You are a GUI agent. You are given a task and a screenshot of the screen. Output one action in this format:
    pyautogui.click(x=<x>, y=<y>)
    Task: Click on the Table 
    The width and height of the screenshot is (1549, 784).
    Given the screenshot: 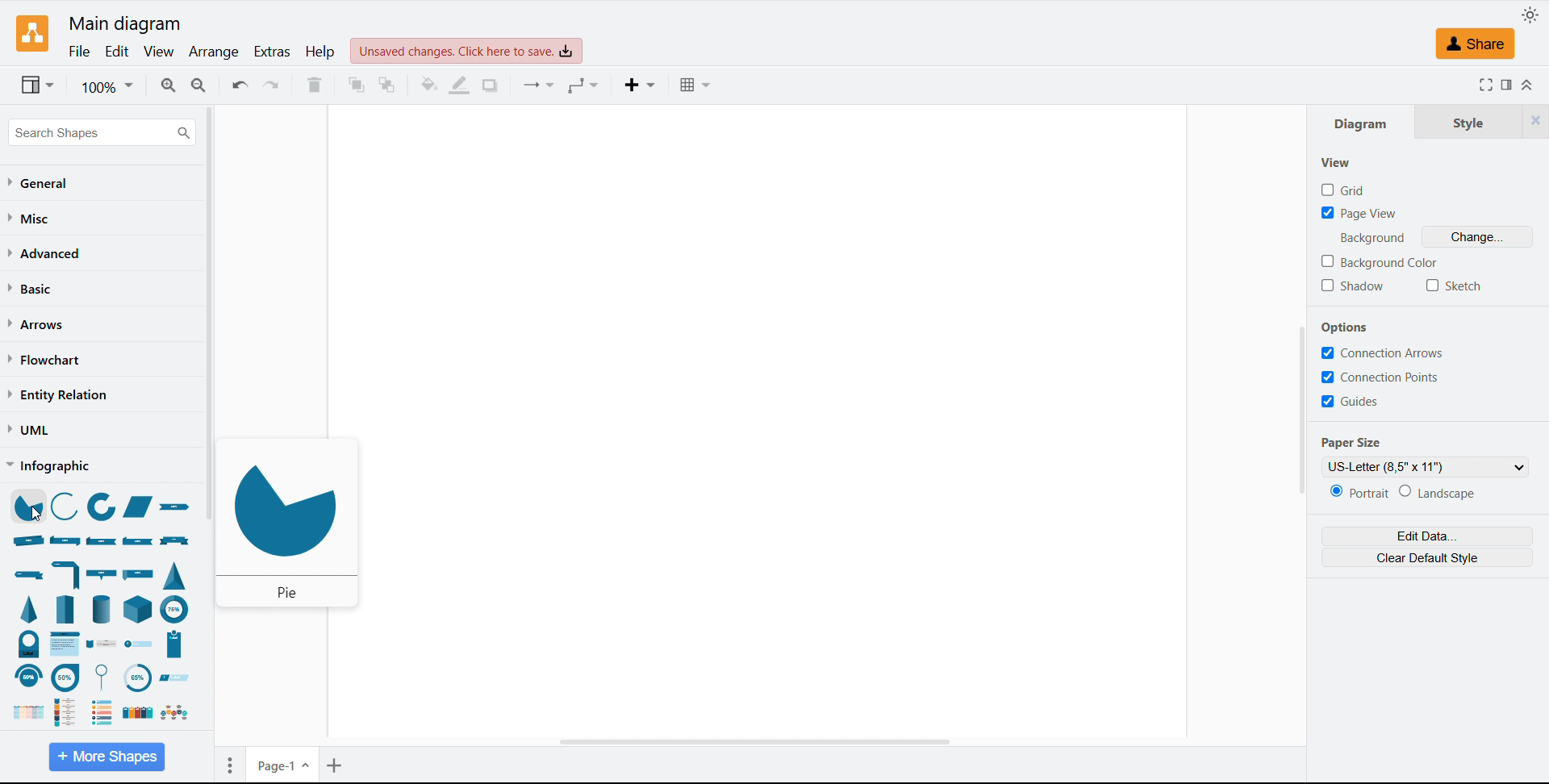 What is the action you would take?
    pyautogui.click(x=695, y=85)
    